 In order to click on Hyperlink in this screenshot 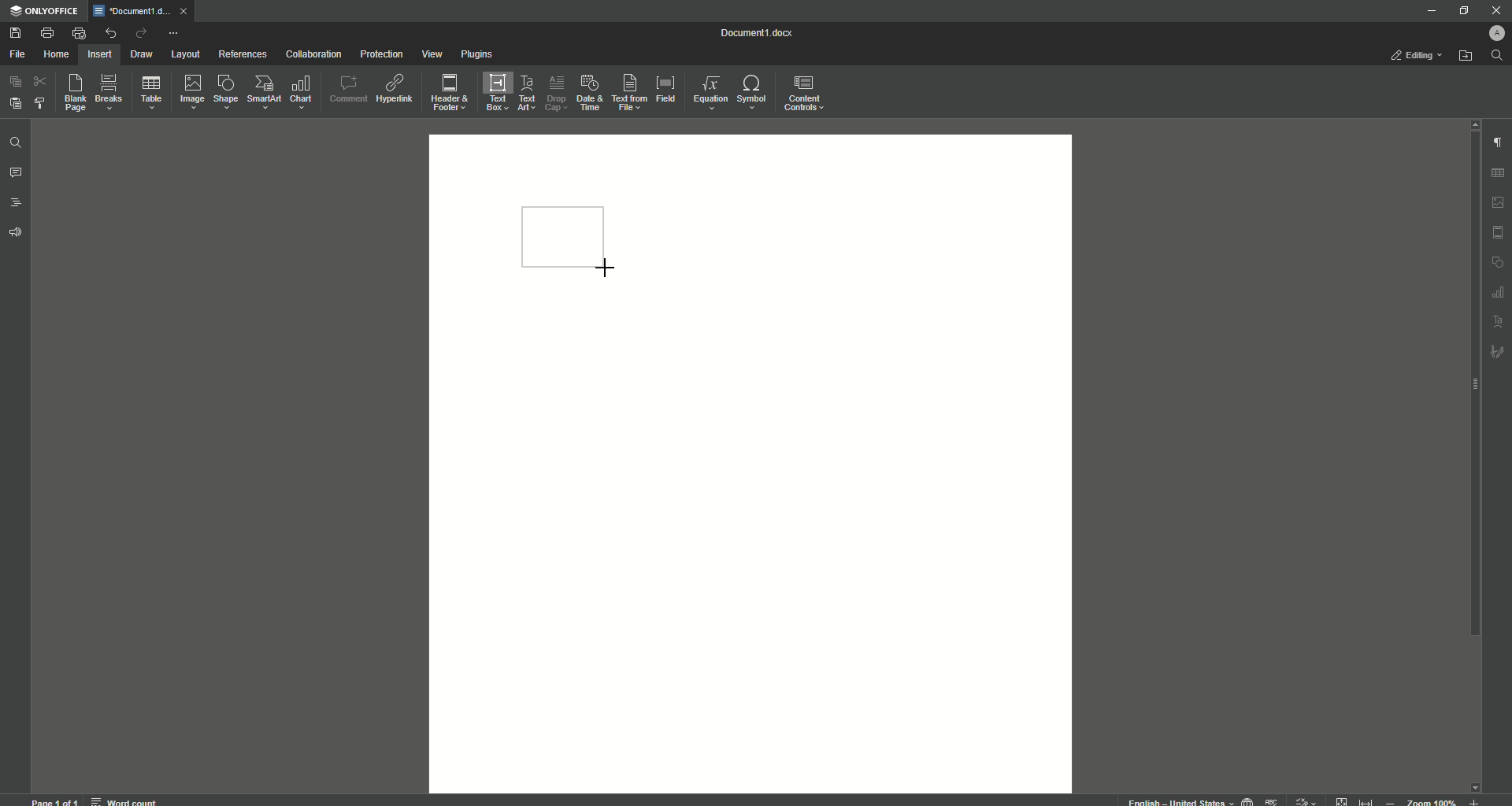, I will do `click(396, 89)`.